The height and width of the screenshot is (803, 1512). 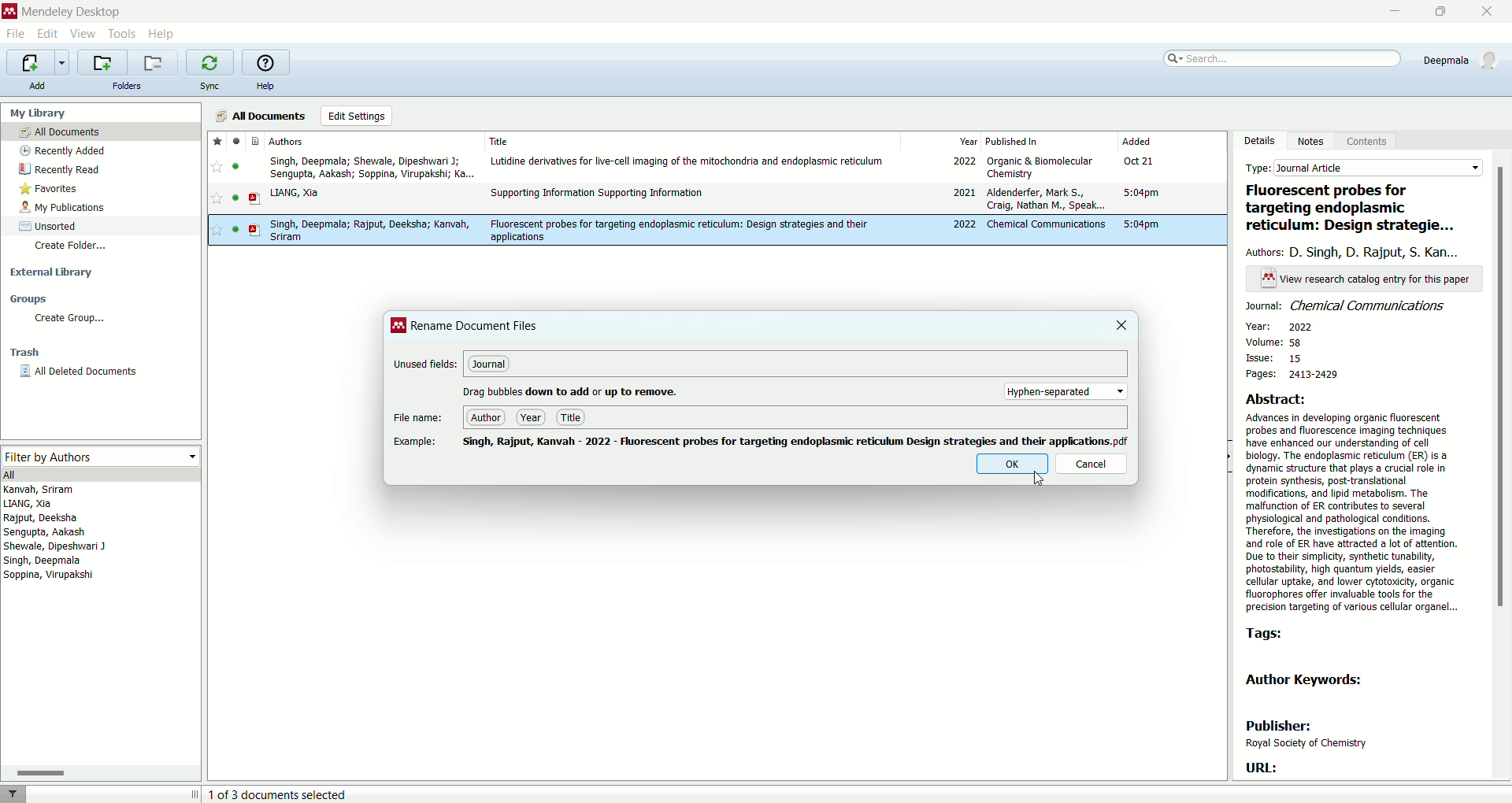 I want to click on online help guide for mendeley, so click(x=263, y=62).